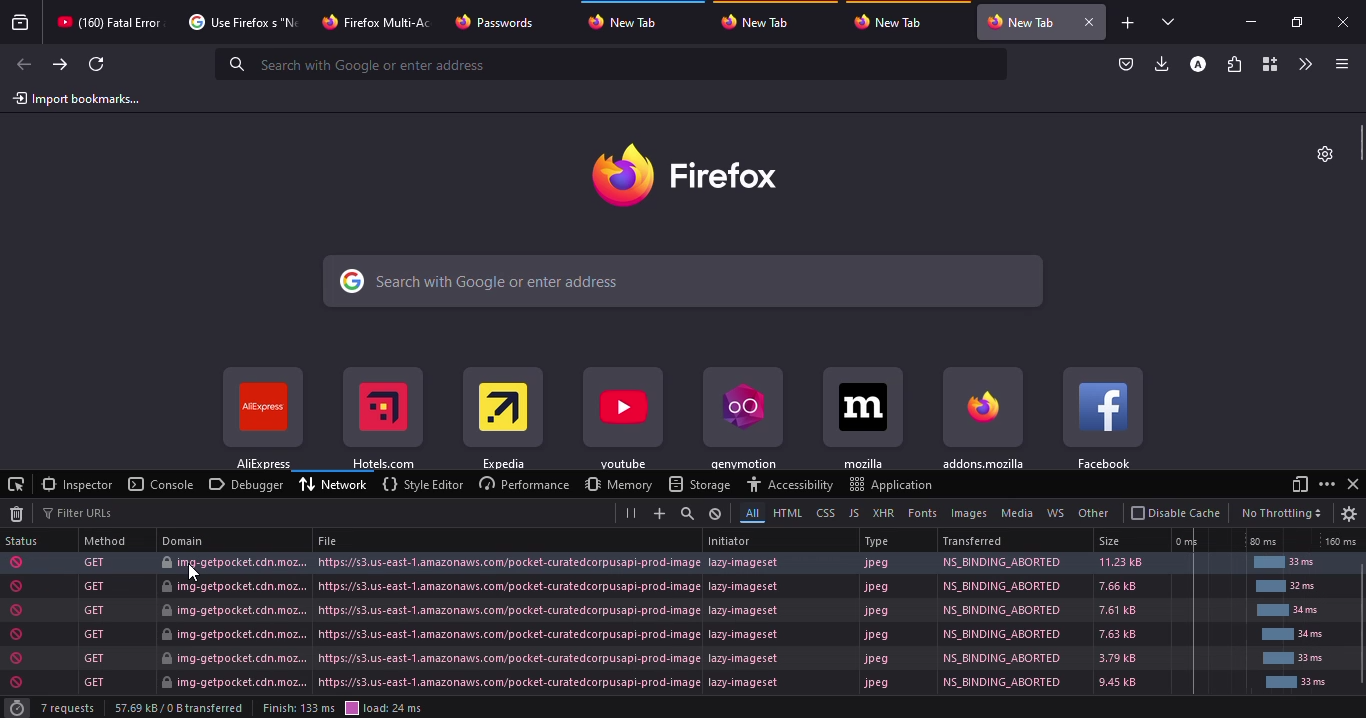 This screenshot has height=718, width=1366. Describe the element at coordinates (684, 280) in the screenshot. I see `search` at that location.